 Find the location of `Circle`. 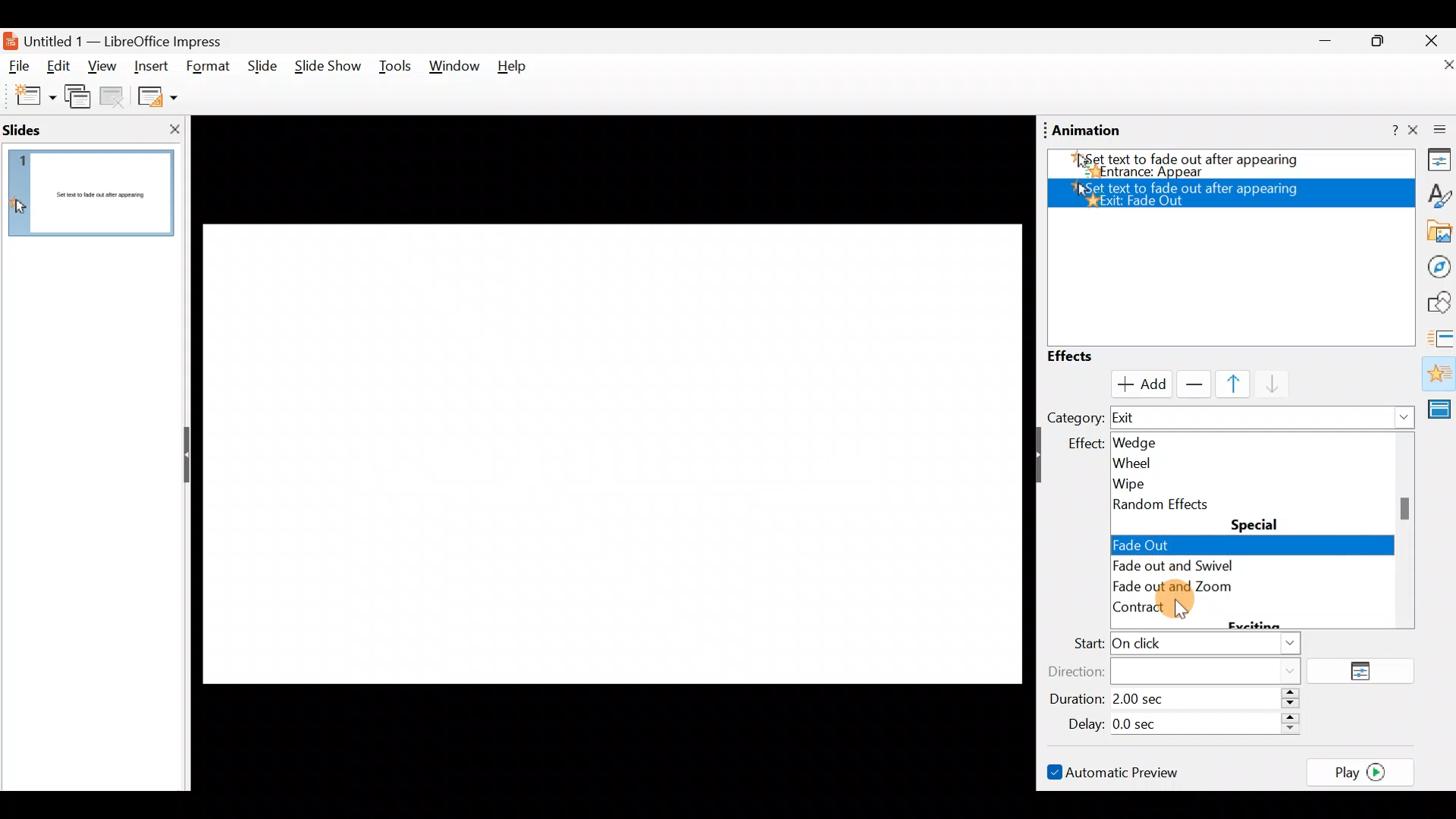

Circle is located at coordinates (1170, 567).